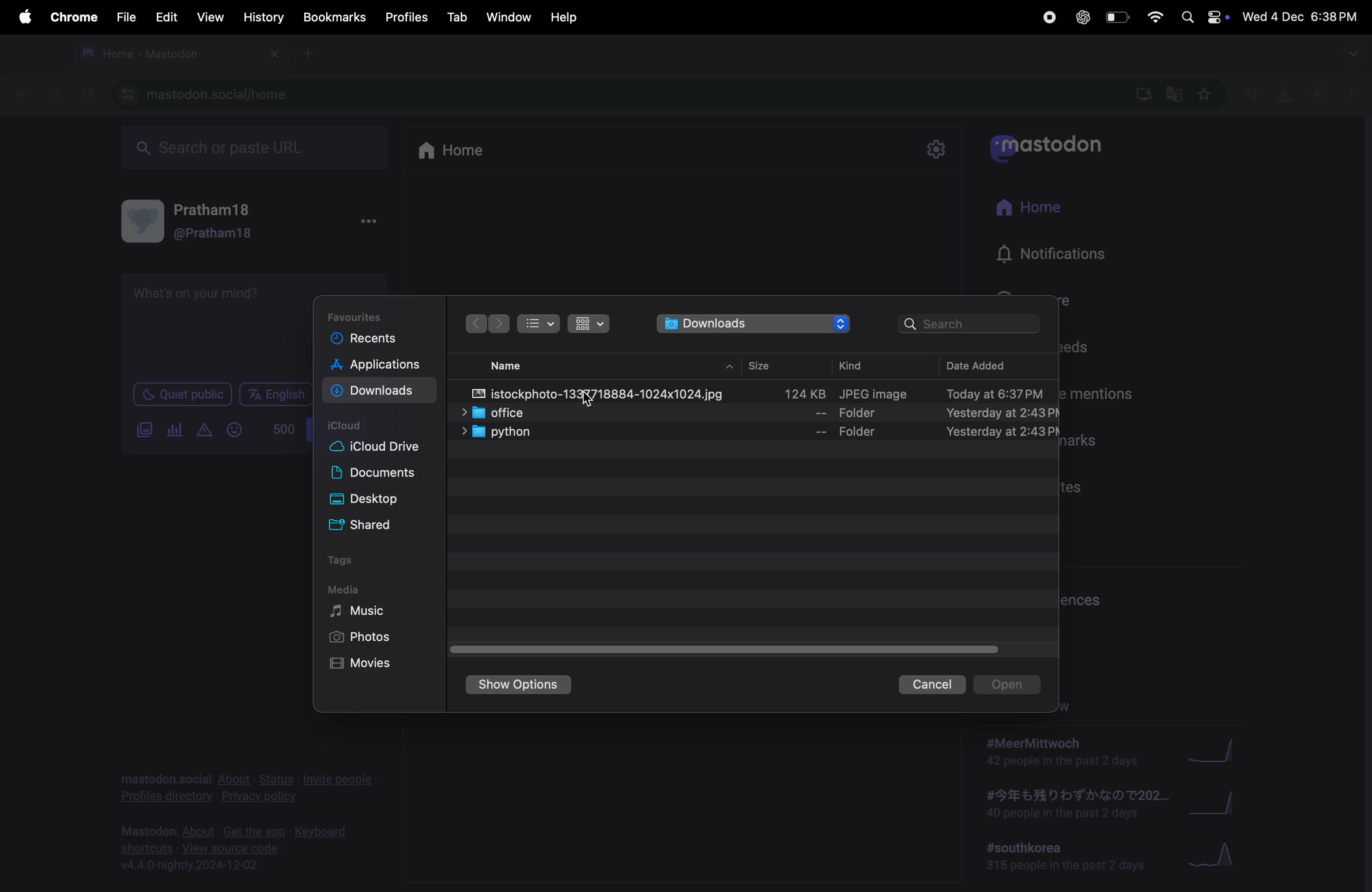 This screenshot has width=1372, height=892. I want to click on forward, so click(51, 97).